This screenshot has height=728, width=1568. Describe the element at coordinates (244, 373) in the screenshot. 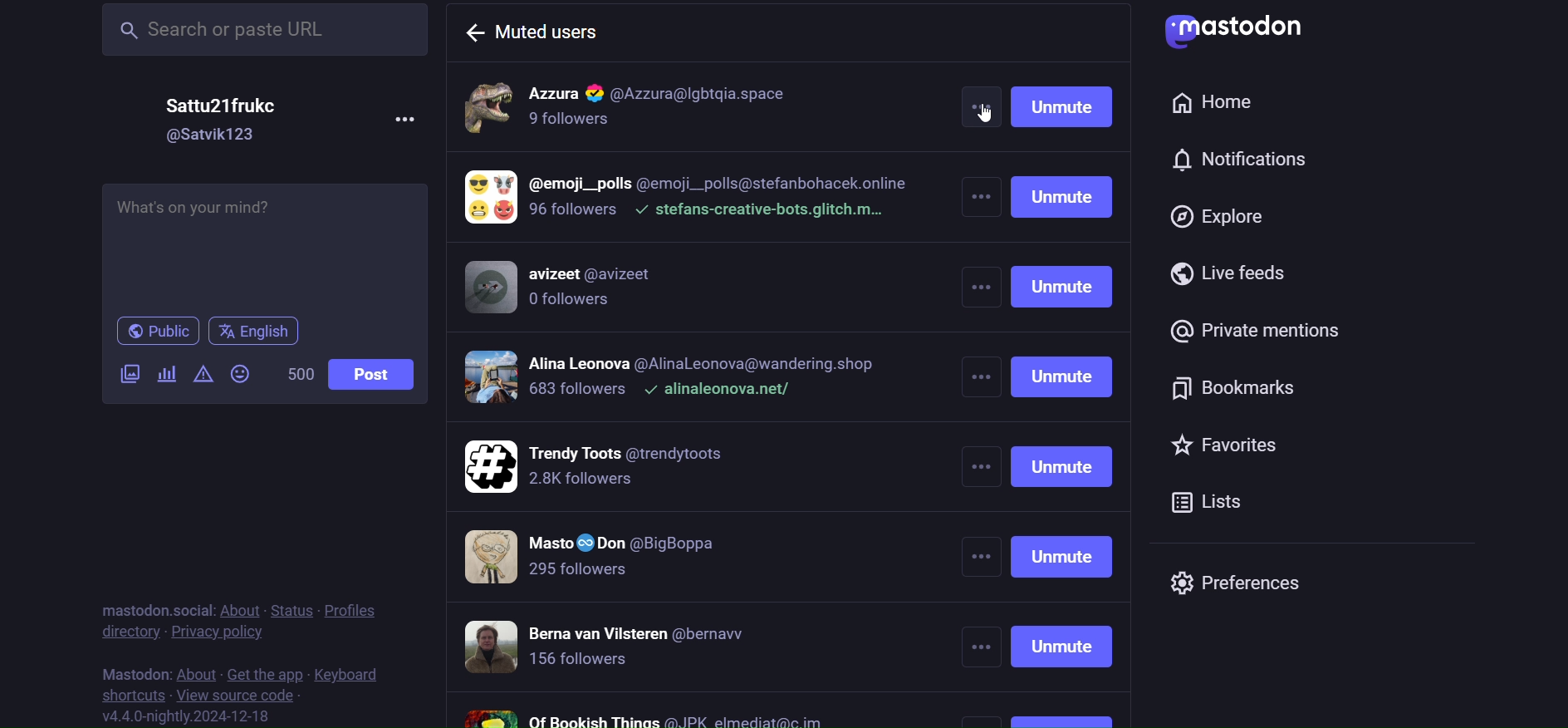

I see `emoji` at that location.